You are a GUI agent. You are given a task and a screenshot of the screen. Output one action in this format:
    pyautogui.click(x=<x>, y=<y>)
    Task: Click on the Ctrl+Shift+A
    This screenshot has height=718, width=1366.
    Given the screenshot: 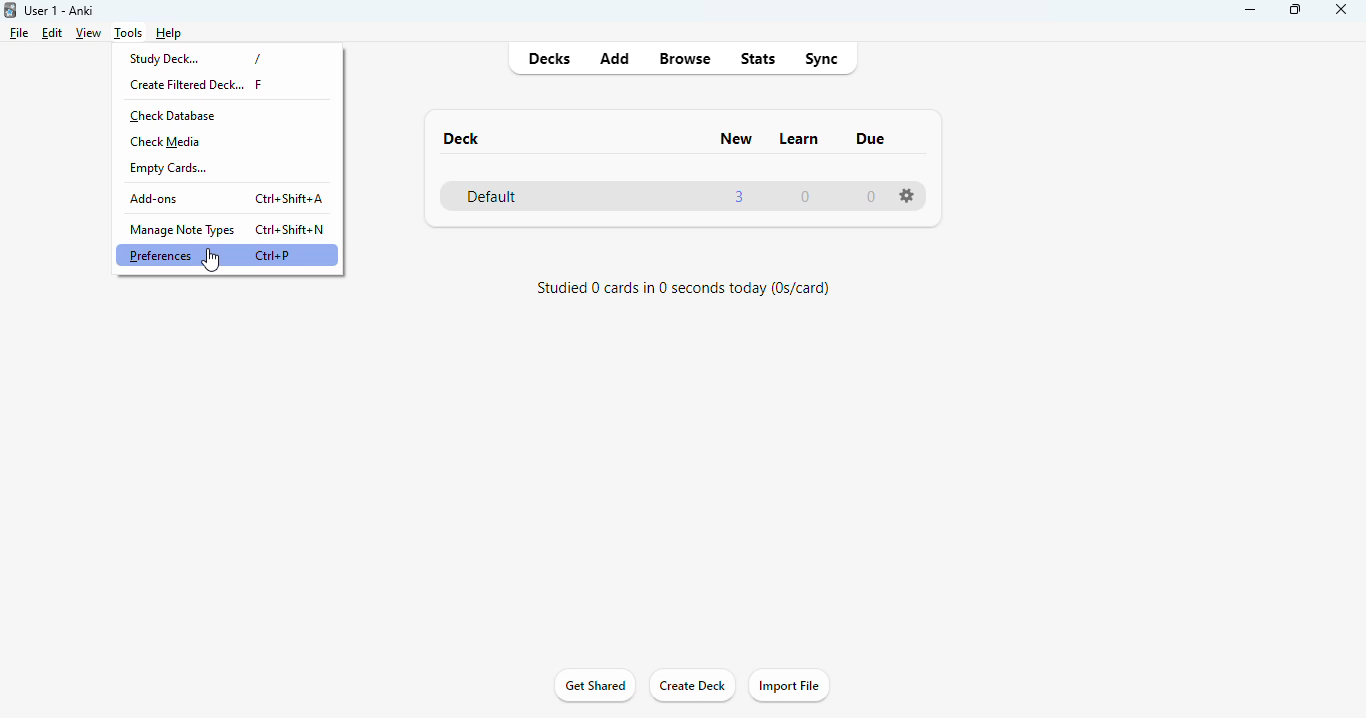 What is the action you would take?
    pyautogui.click(x=290, y=199)
    